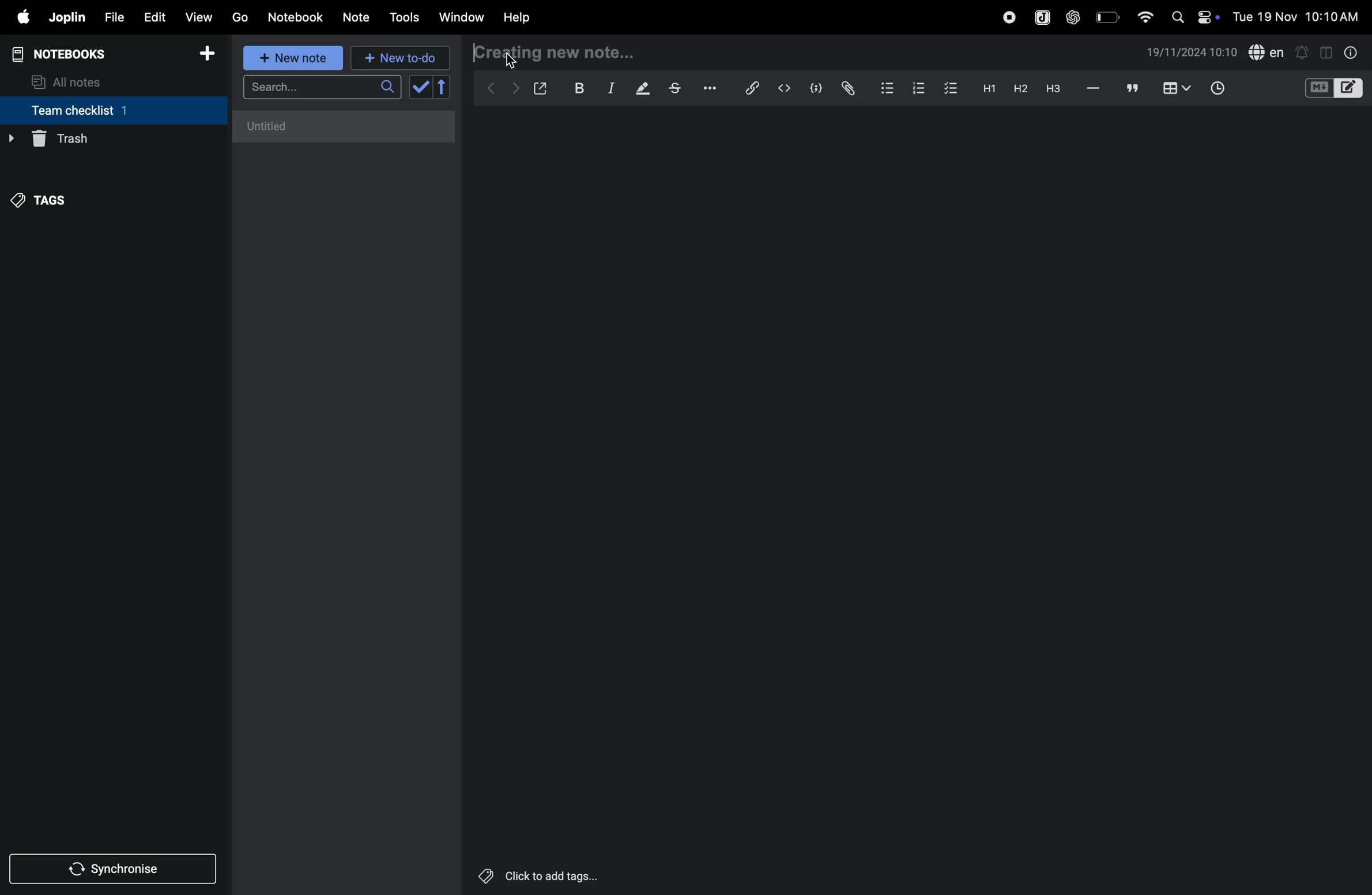  Describe the element at coordinates (1348, 52) in the screenshot. I see `info` at that location.